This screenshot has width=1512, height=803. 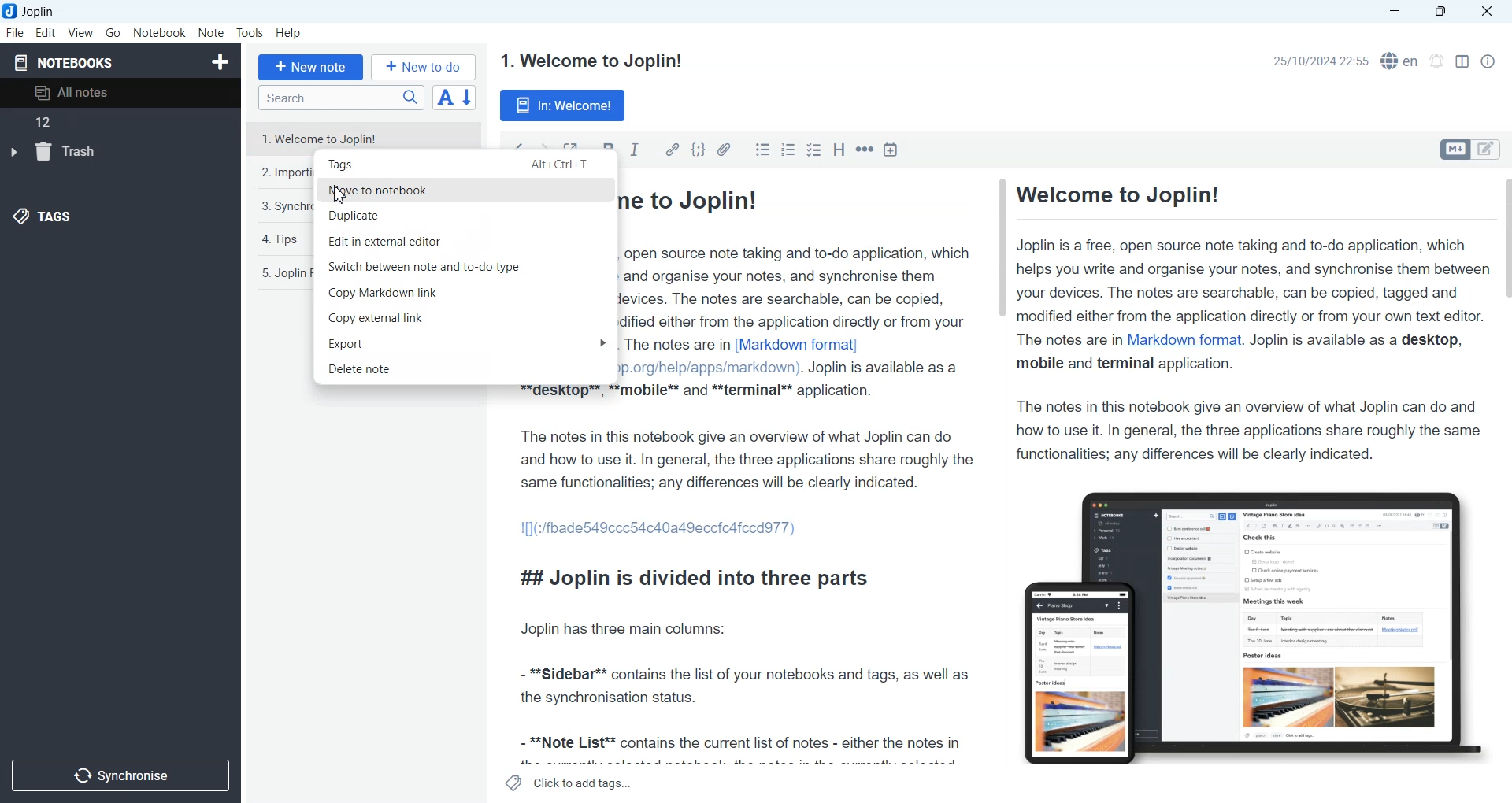 I want to click on + New note, so click(x=311, y=67).